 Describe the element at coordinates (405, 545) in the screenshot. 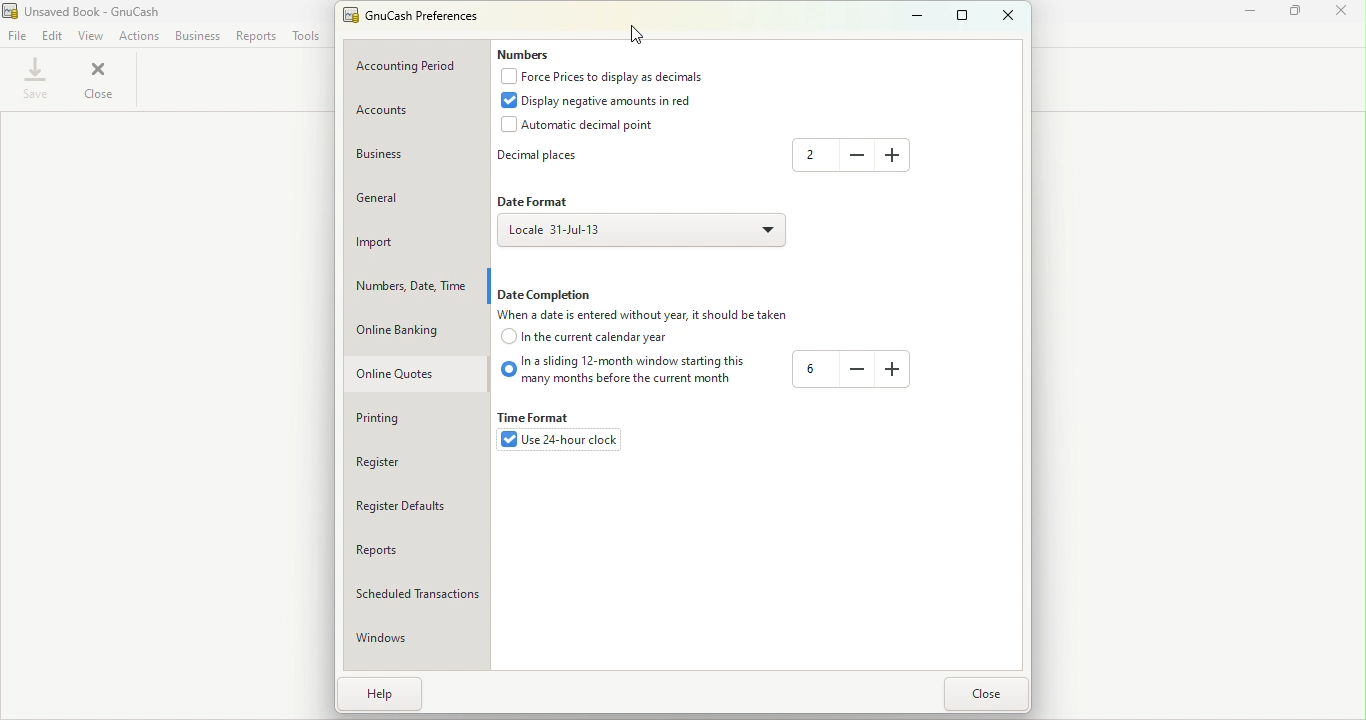

I see `Reports` at that location.